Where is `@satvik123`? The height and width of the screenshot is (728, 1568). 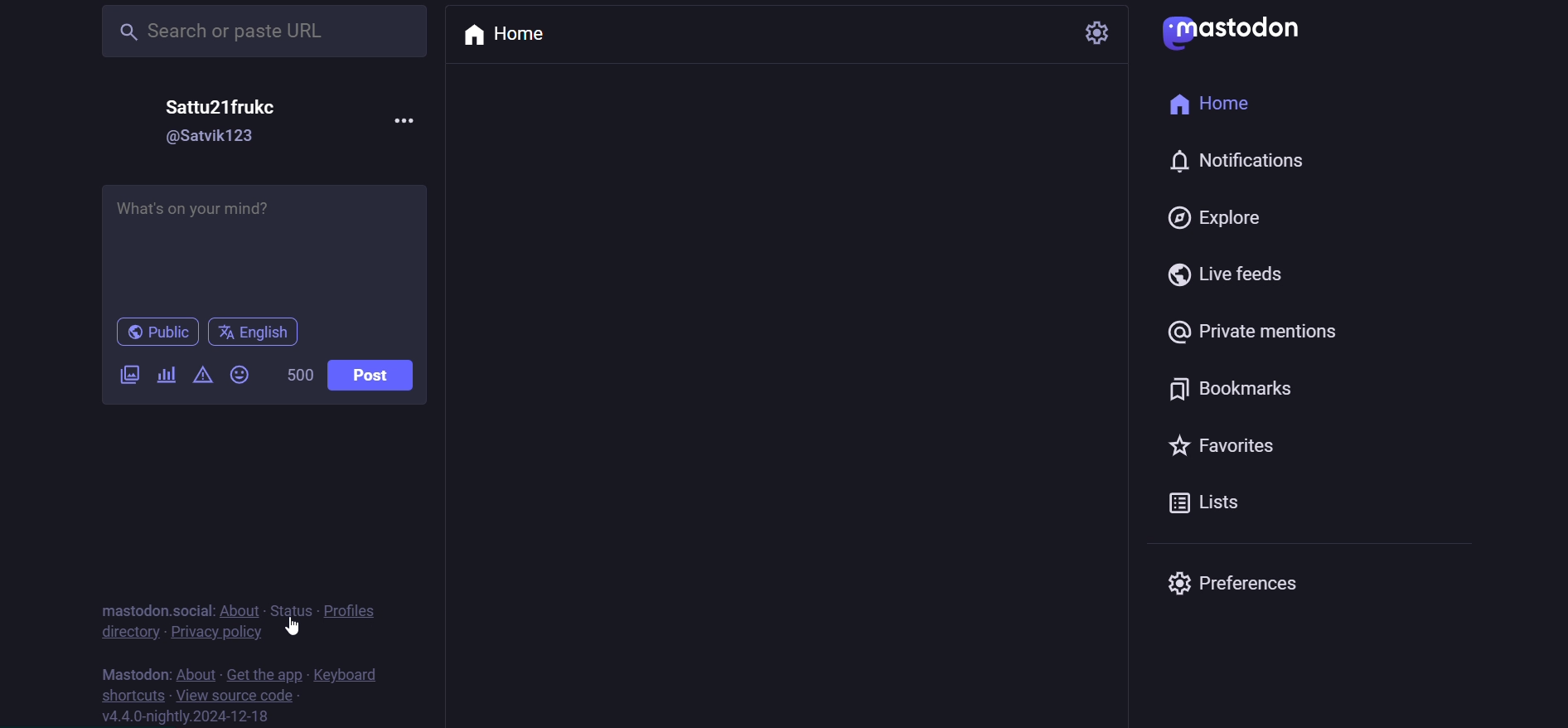 @satvik123 is located at coordinates (211, 138).